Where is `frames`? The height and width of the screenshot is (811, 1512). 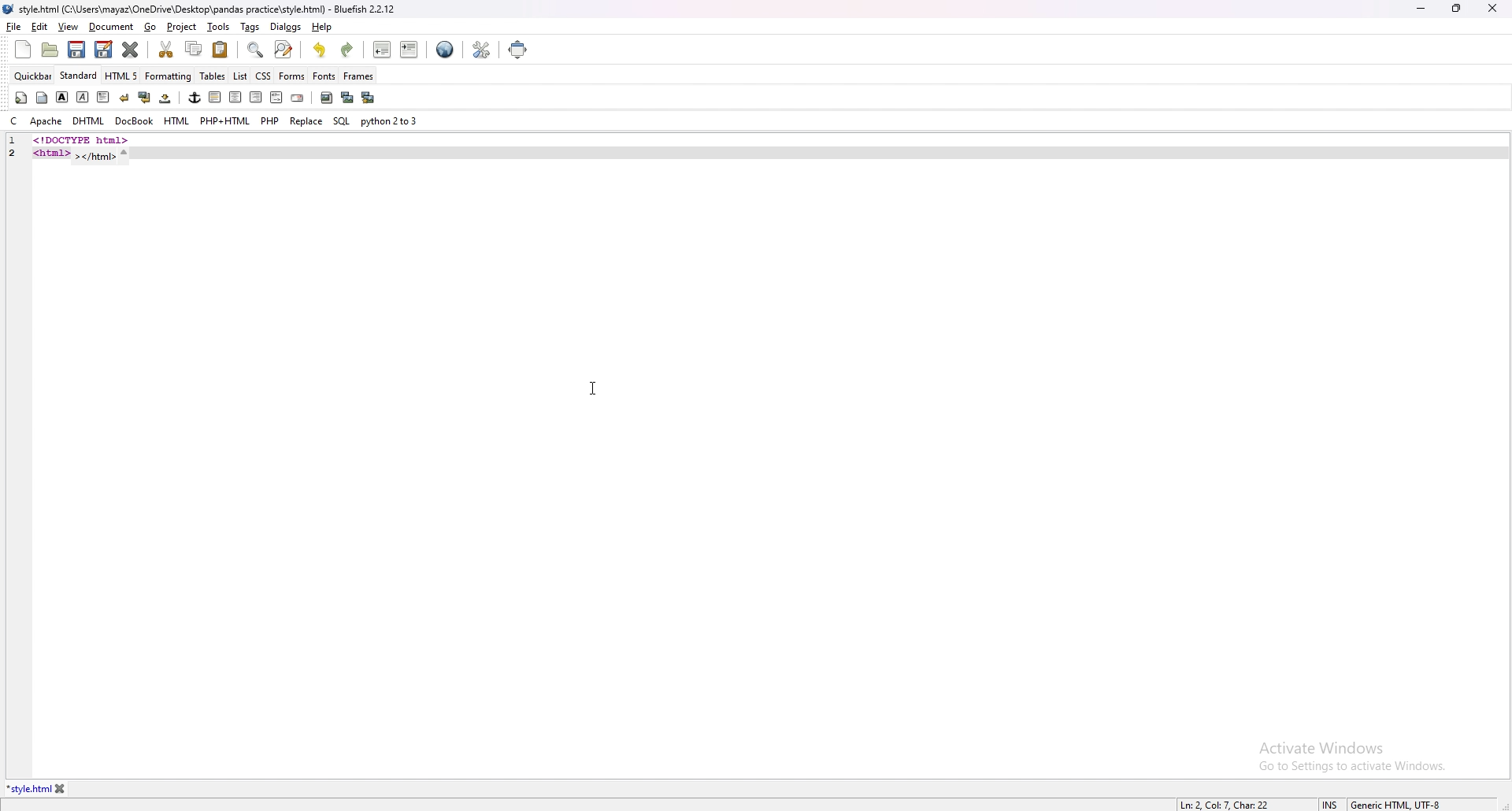
frames is located at coordinates (358, 76).